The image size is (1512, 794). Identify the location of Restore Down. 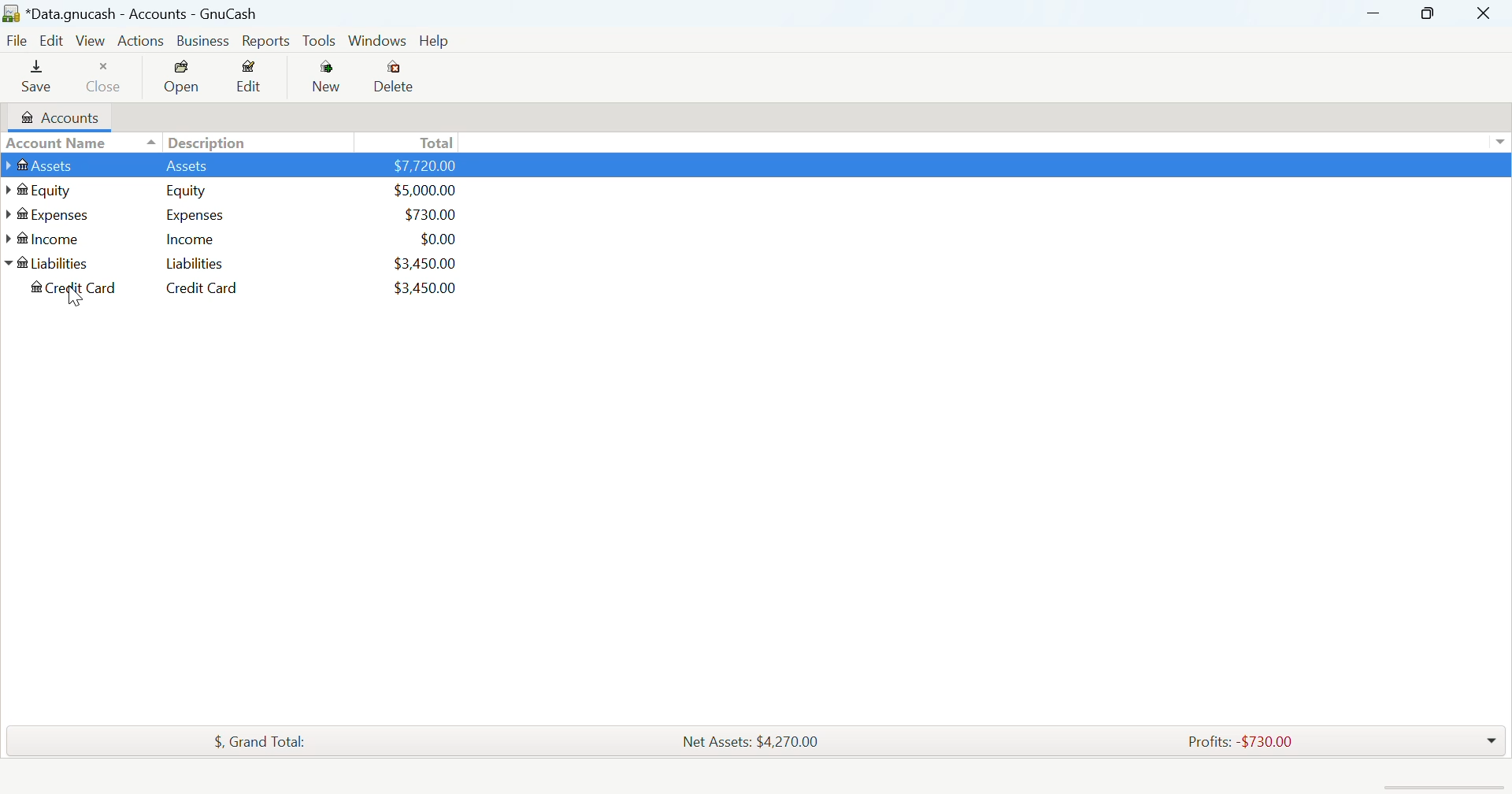
(1375, 13).